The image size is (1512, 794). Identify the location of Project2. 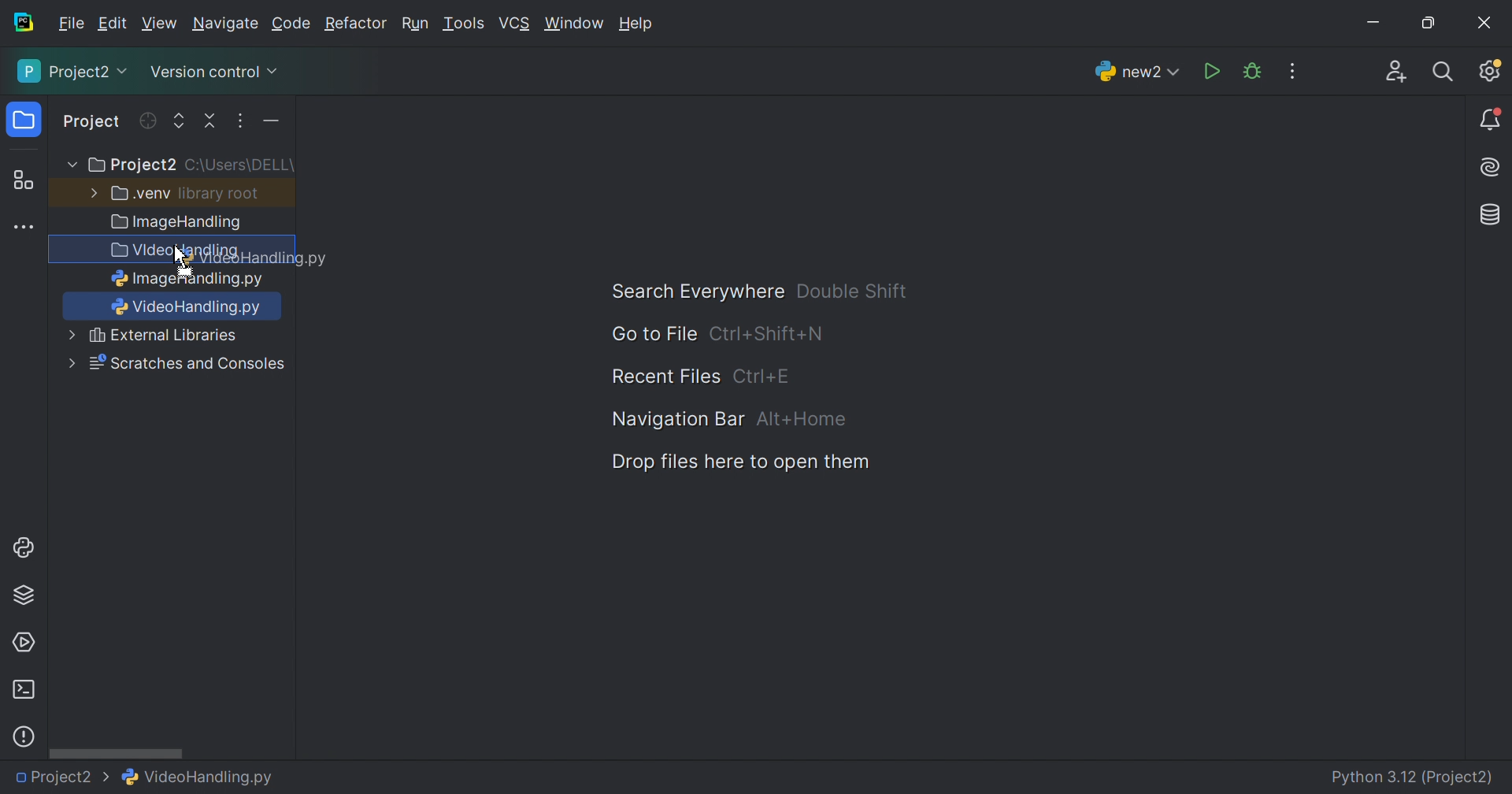
(74, 71).